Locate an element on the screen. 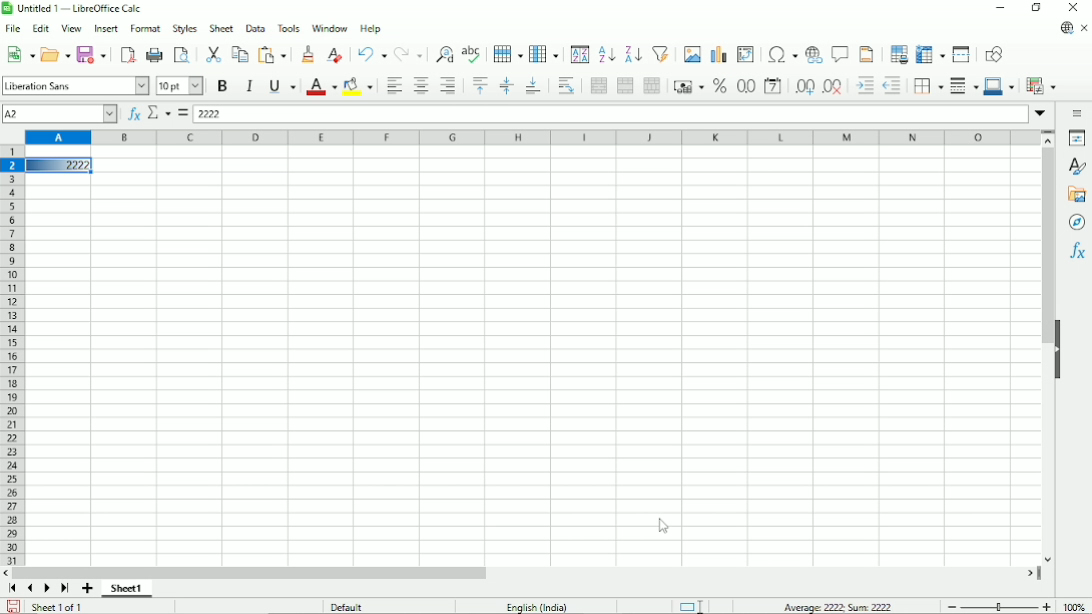 This screenshot has height=614, width=1092. Delete decimal place is located at coordinates (834, 87).